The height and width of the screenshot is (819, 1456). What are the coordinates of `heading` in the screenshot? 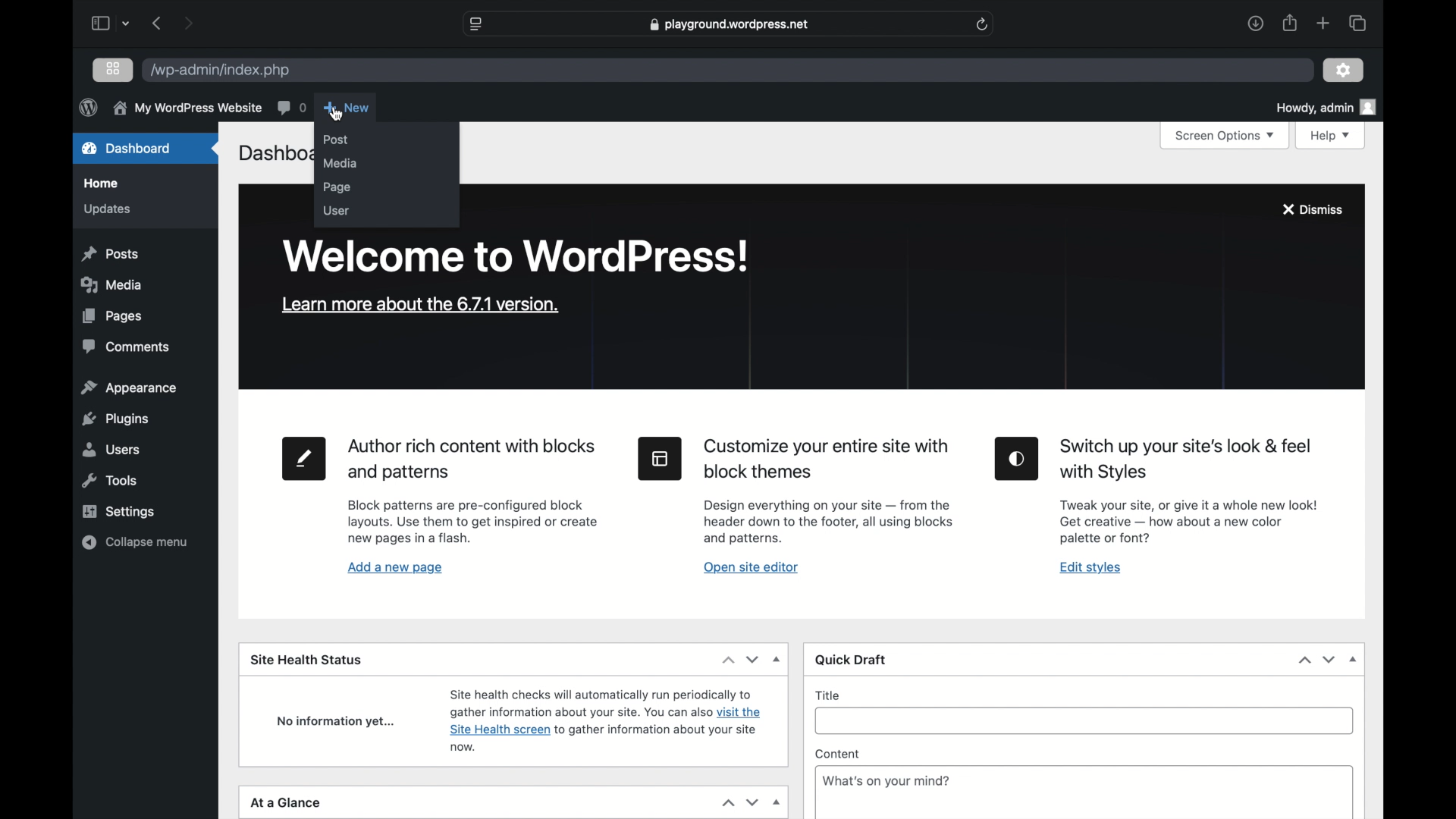 It's located at (474, 460).